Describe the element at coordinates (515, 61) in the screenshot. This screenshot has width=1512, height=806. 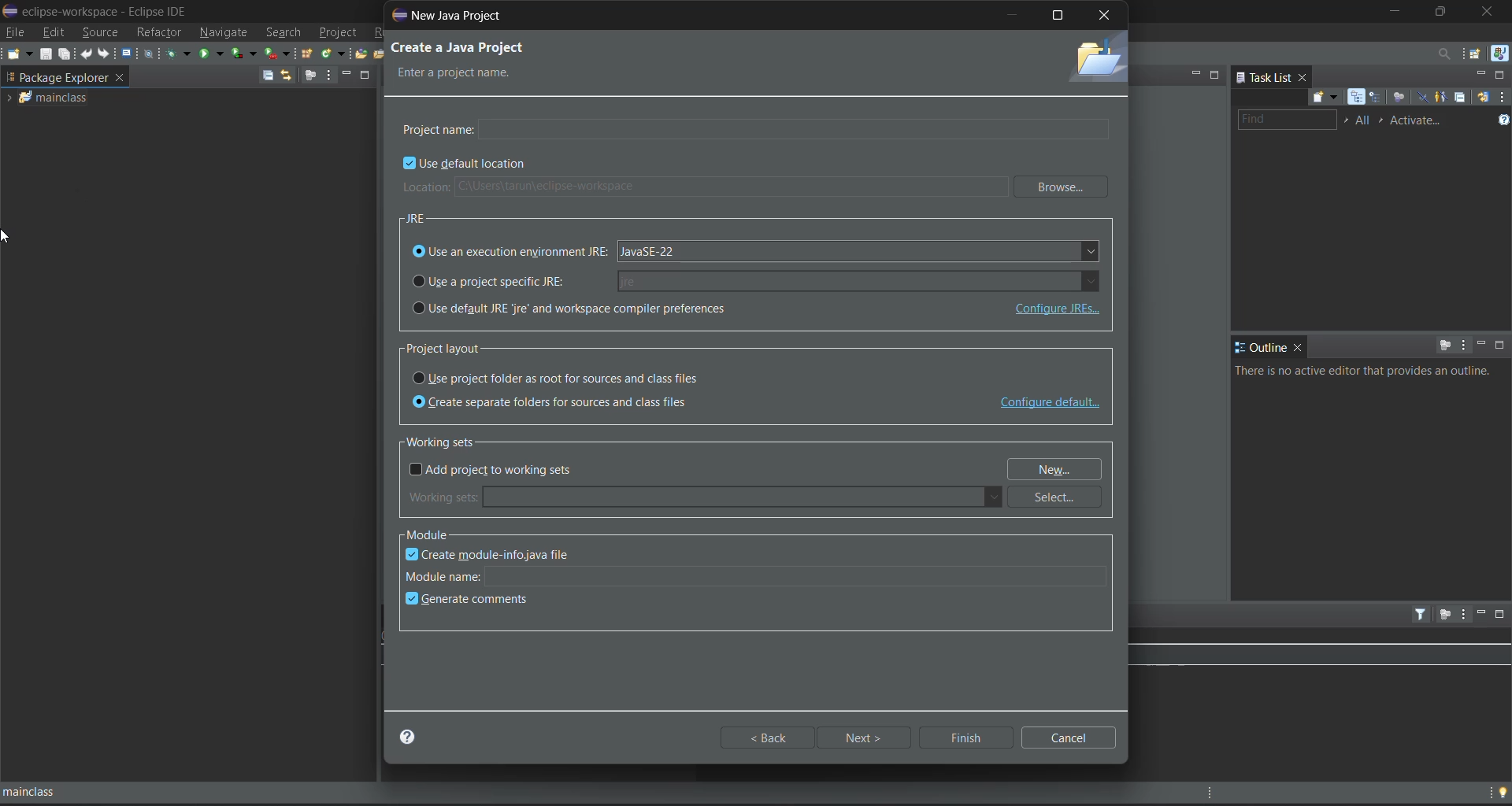
I see `create a new java project enter a project name` at that location.